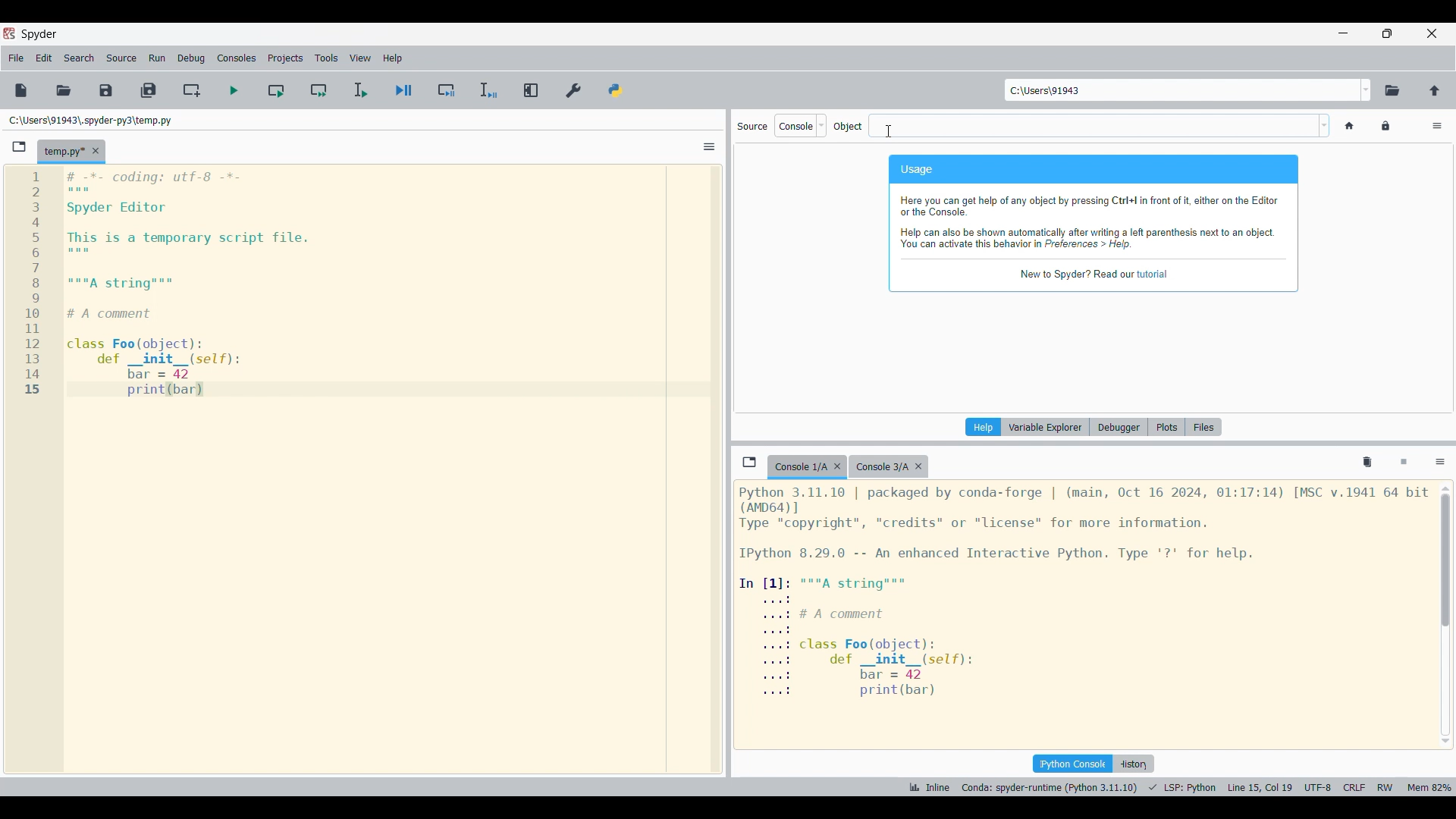  Describe the element at coordinates (191, 91) in the screenshot. I see `Create new cell at current line` at that location.